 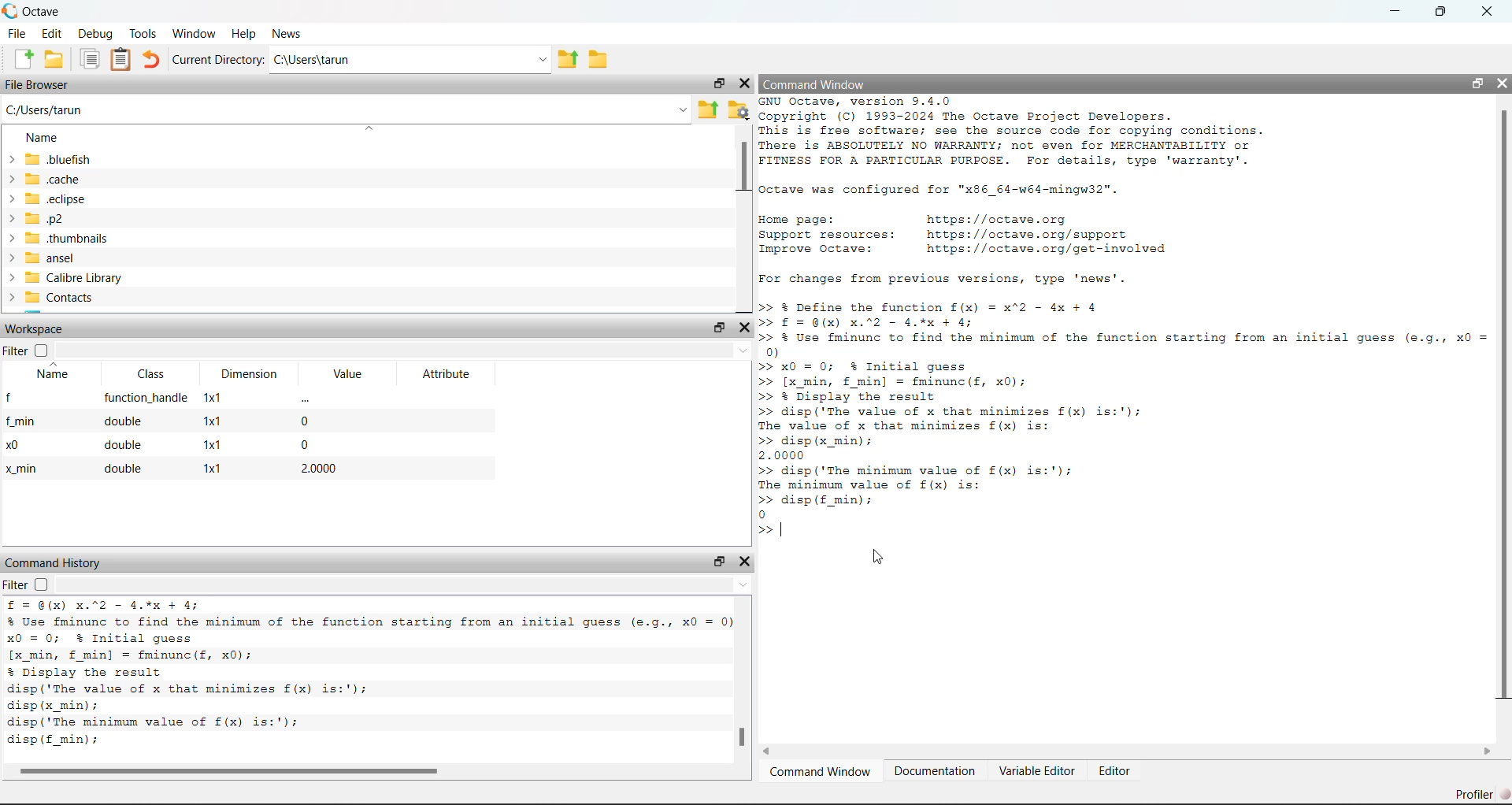 I want to click on Camera Window, so click(x=822, y=770).